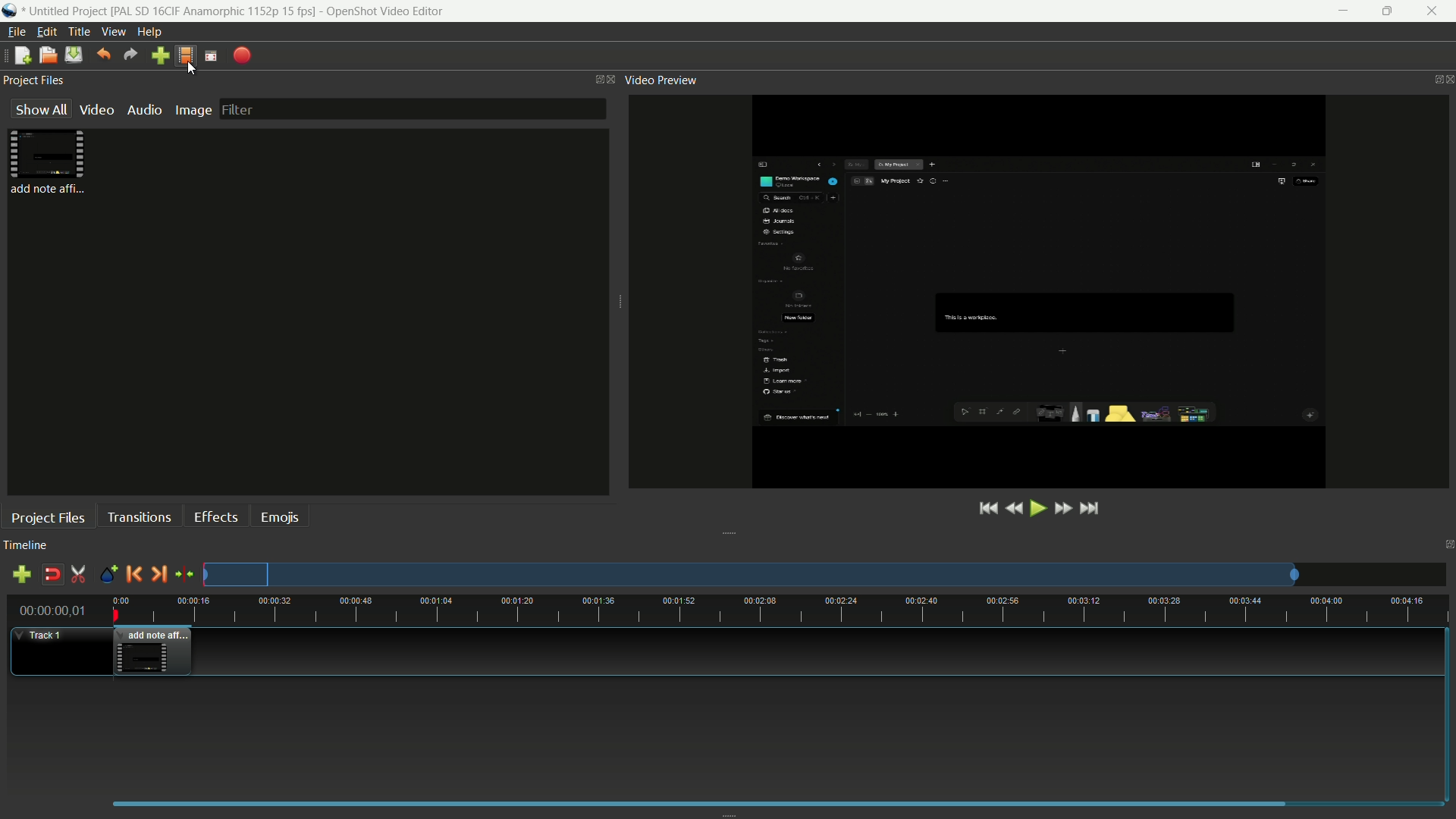  Describe the element at coordinates (192, 67) in the screenshot. I see `cursor` at that location.